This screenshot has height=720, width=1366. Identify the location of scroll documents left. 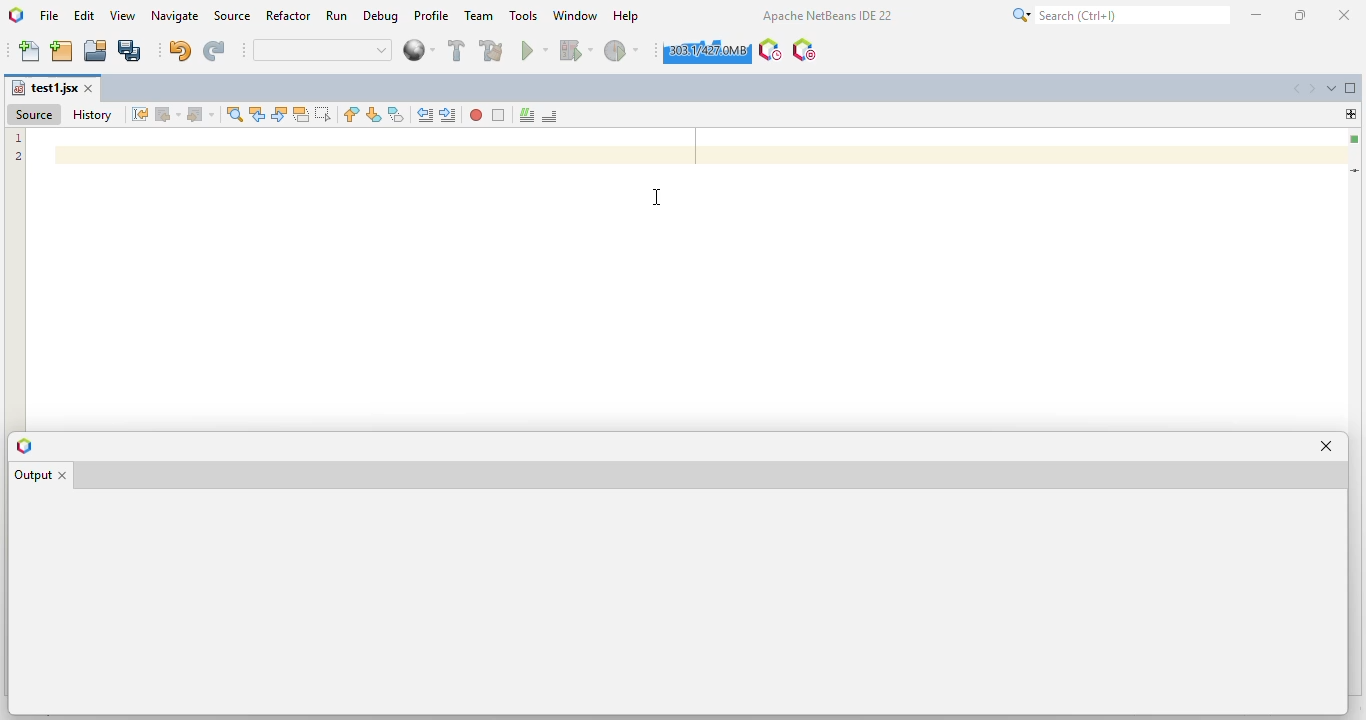
(1298, 89).